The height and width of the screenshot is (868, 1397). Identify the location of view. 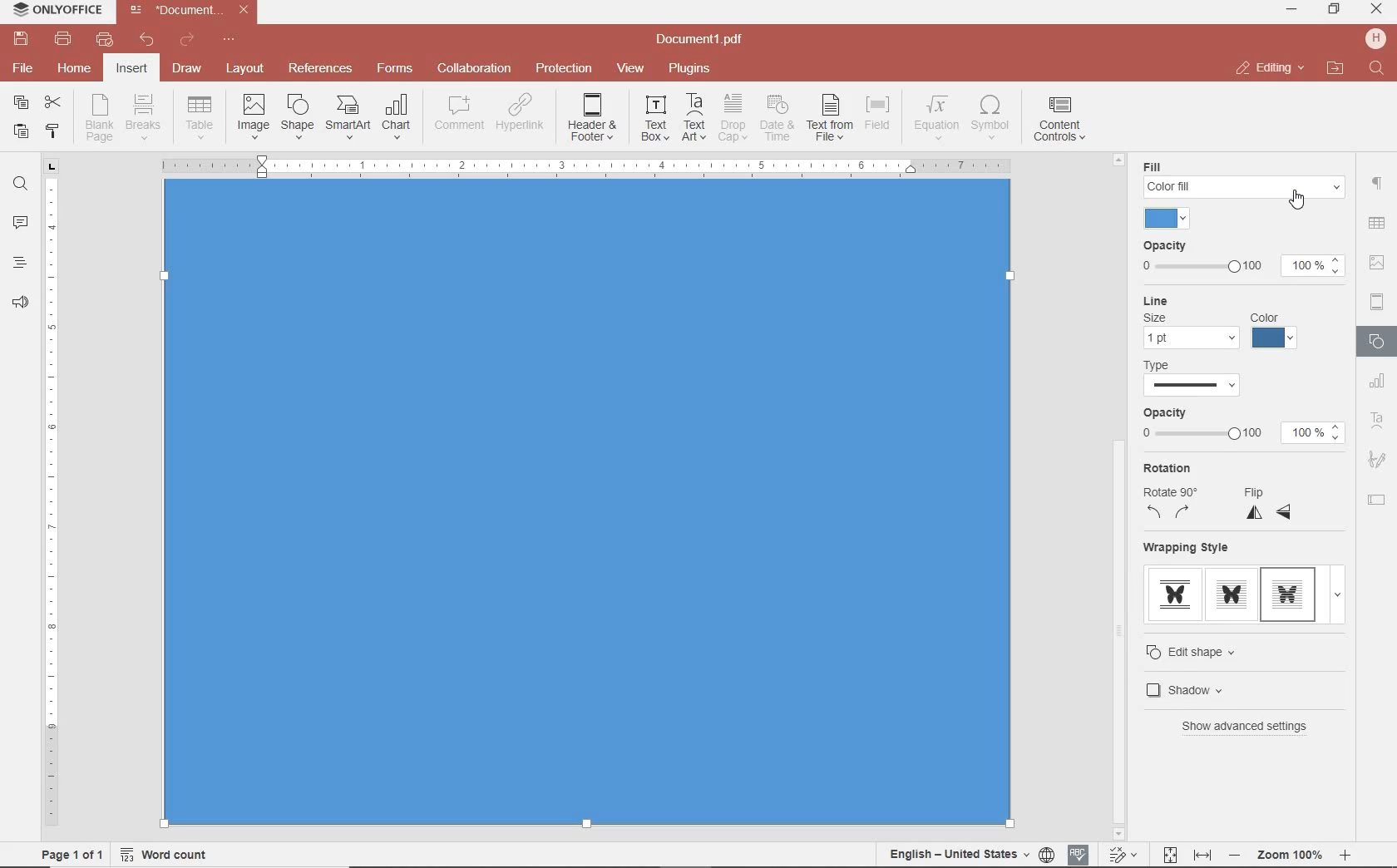
(630, 69).